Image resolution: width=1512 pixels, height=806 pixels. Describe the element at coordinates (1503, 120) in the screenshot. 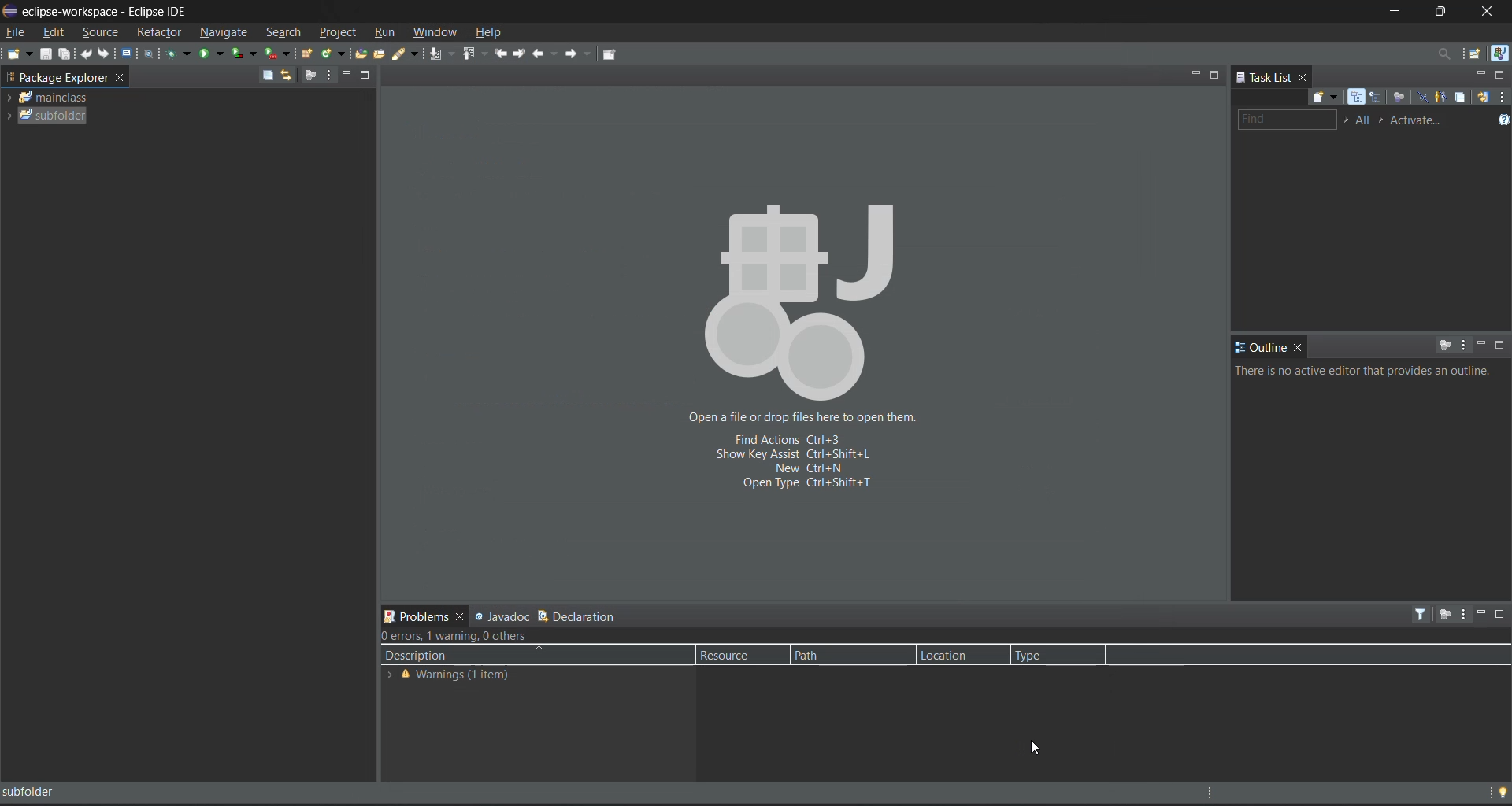

I see `show tasks UI legend` at that location.